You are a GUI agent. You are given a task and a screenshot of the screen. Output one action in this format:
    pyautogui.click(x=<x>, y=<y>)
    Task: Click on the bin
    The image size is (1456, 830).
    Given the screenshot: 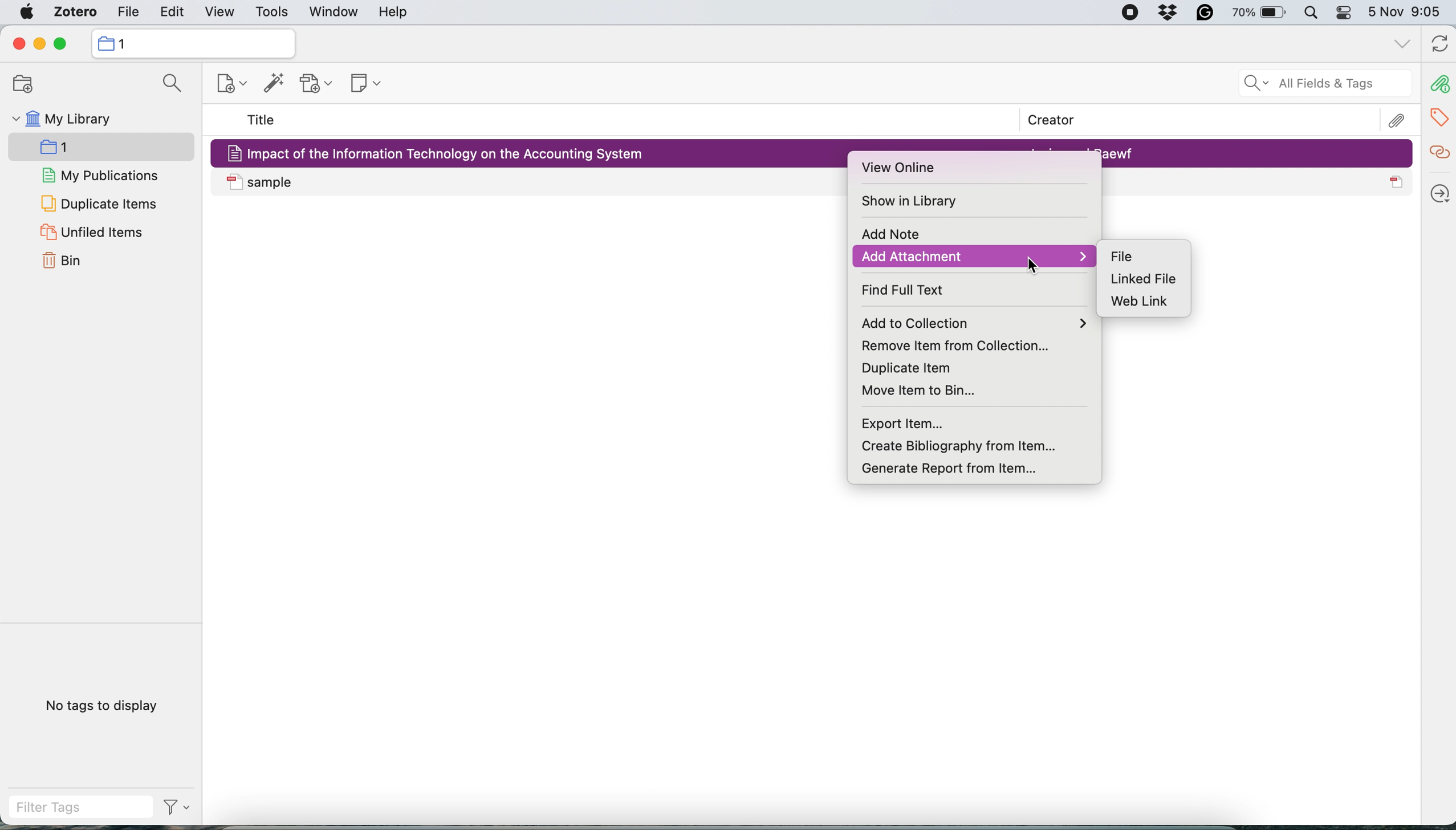 What is the action you would take?
    pyautogui.click(x=67, y=262)
    